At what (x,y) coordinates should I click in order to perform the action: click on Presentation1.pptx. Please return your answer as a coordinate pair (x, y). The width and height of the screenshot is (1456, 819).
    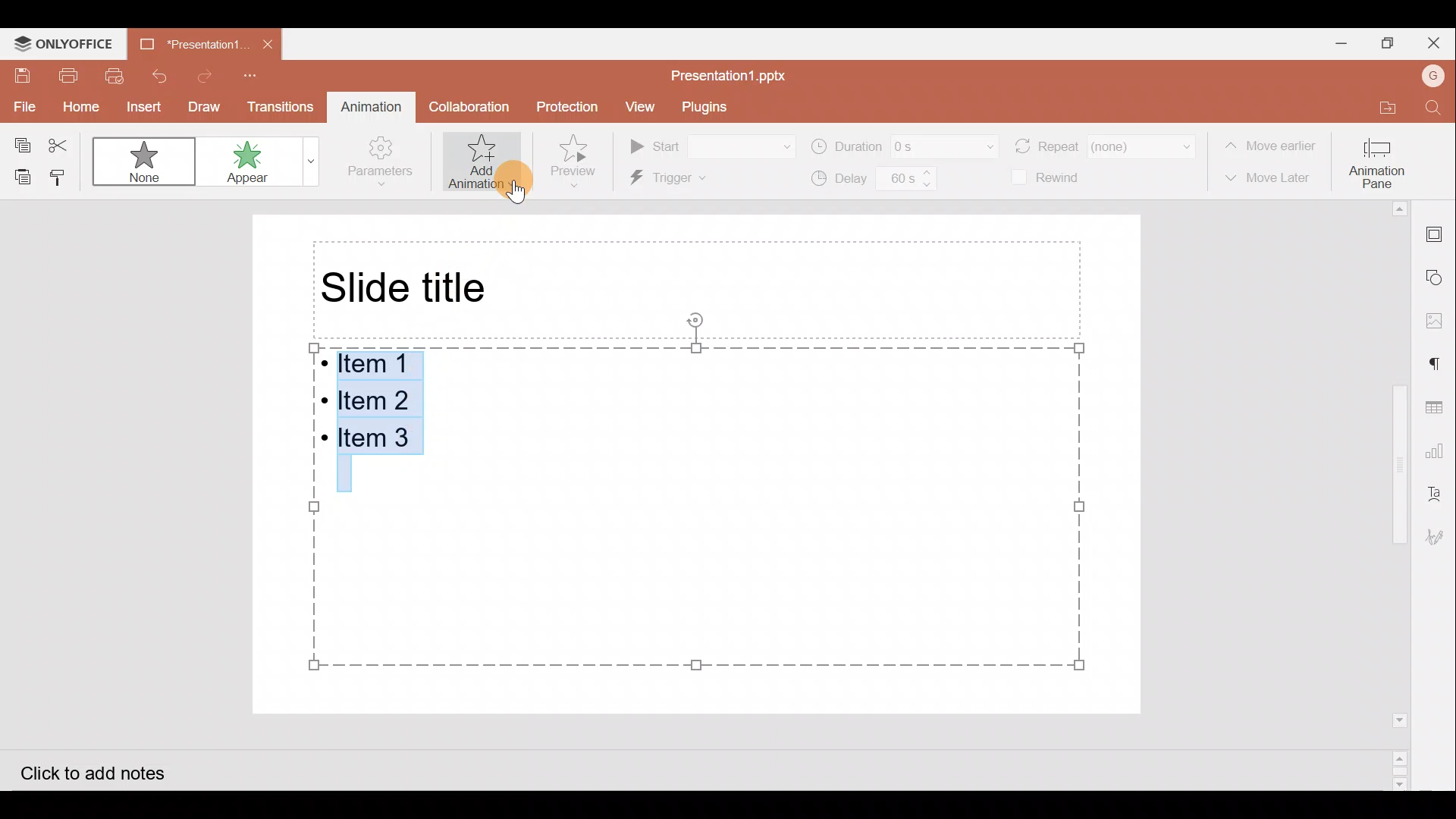
    Looking at the image, I should click on (733, 73).